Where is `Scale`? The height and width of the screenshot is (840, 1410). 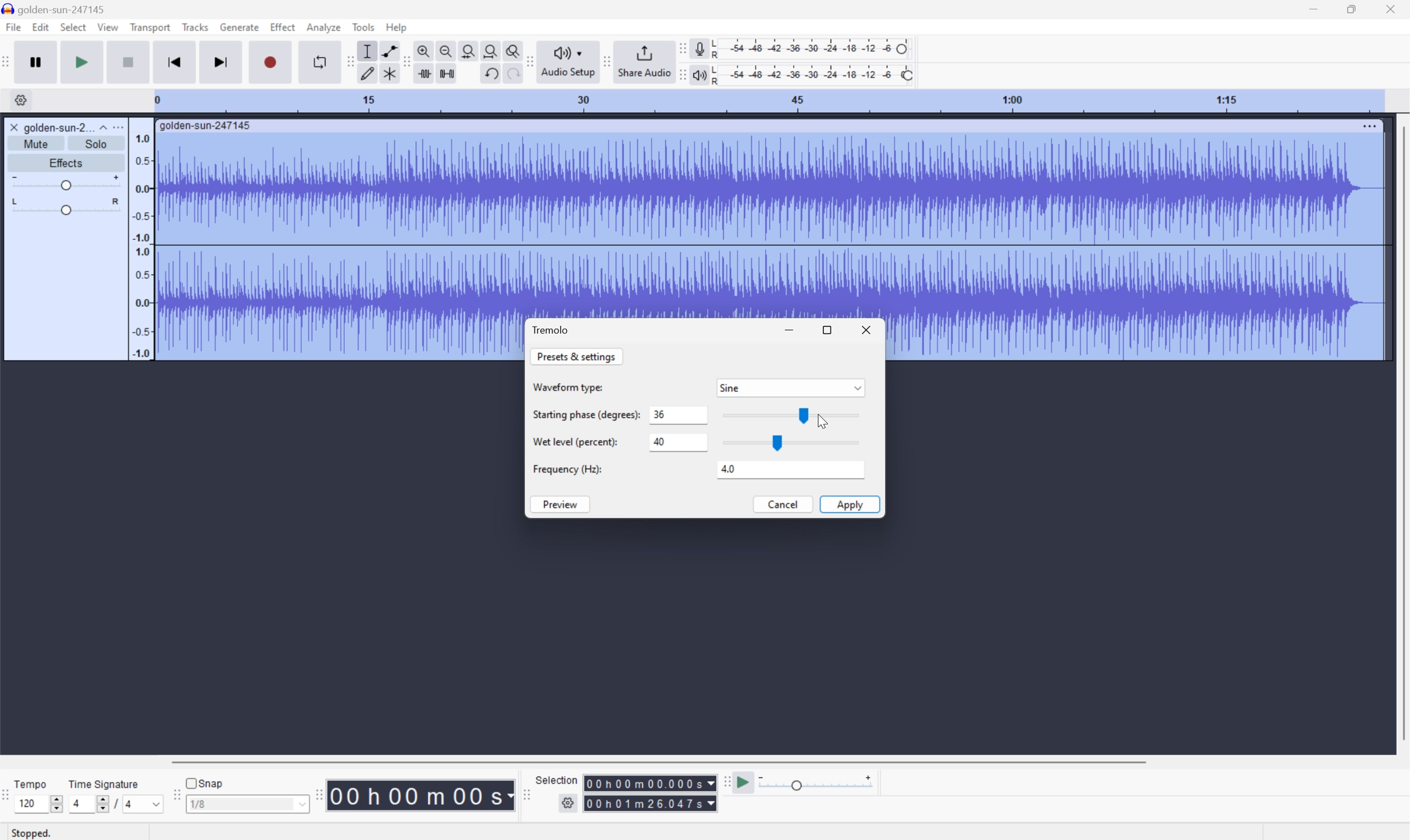 Scale is located at coordinates (768, 101).